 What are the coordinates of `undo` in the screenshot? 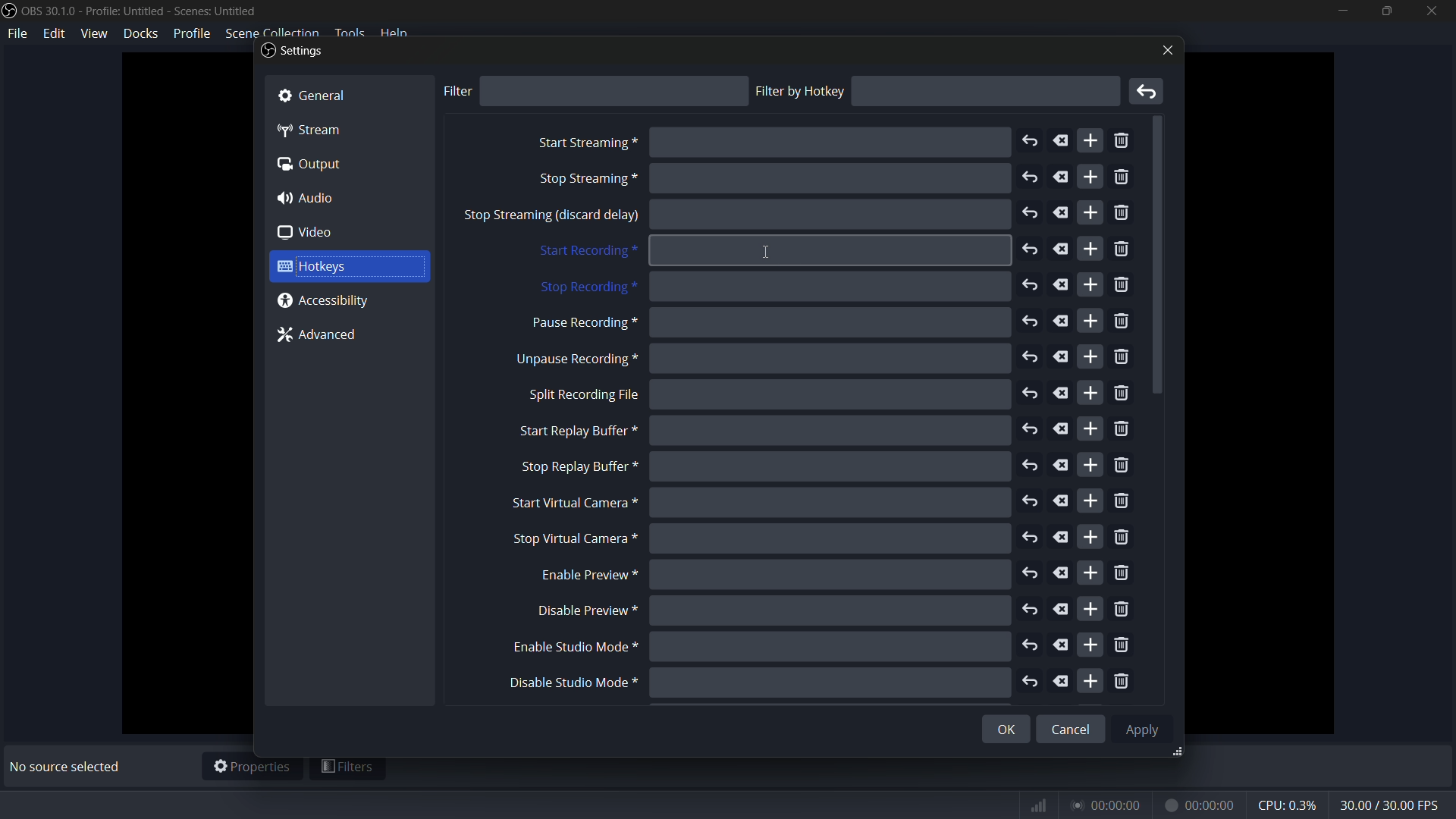 It's located at (1031, 428).